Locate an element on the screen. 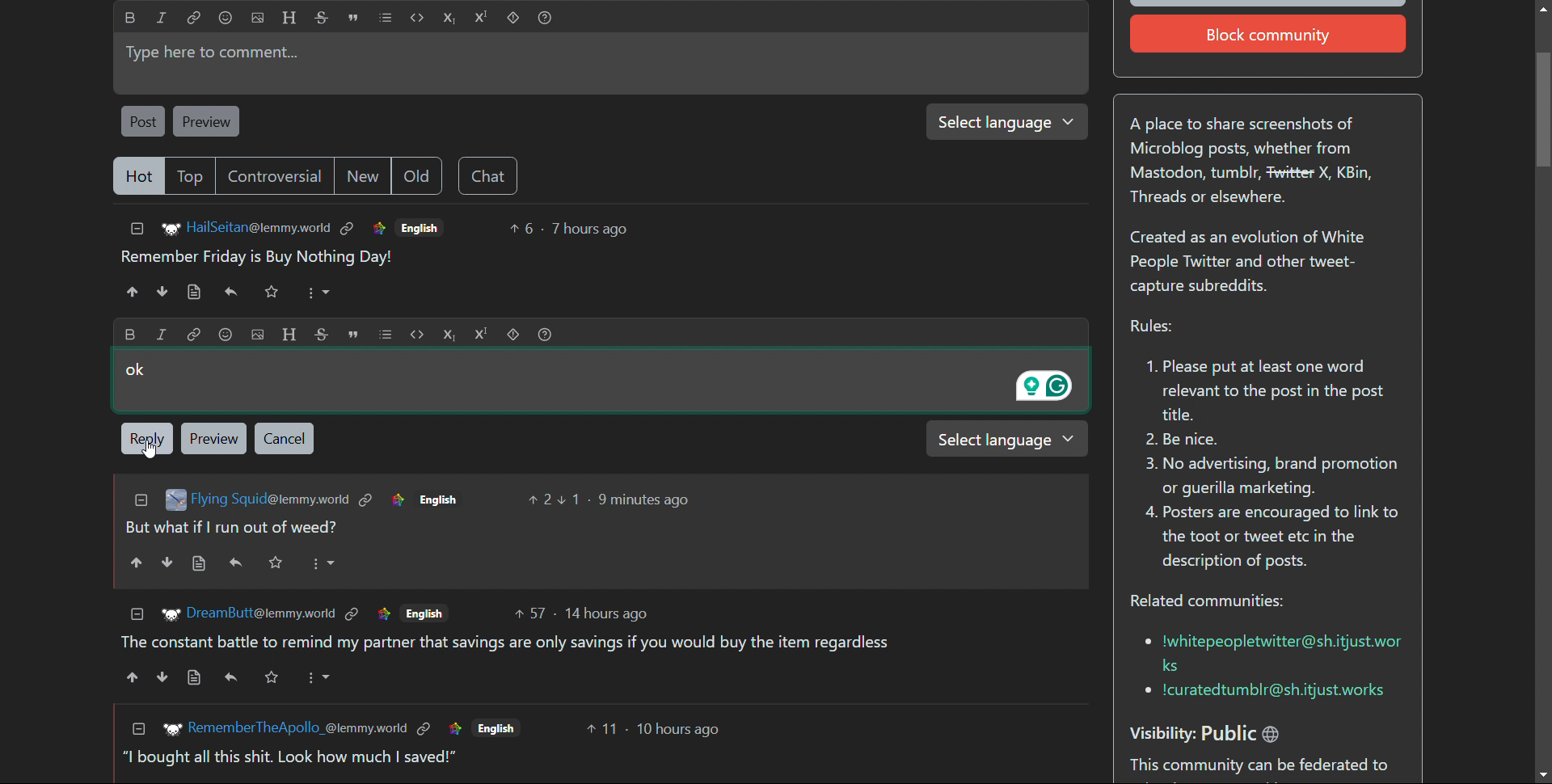  time of posting is located at coordinates (609, 609).